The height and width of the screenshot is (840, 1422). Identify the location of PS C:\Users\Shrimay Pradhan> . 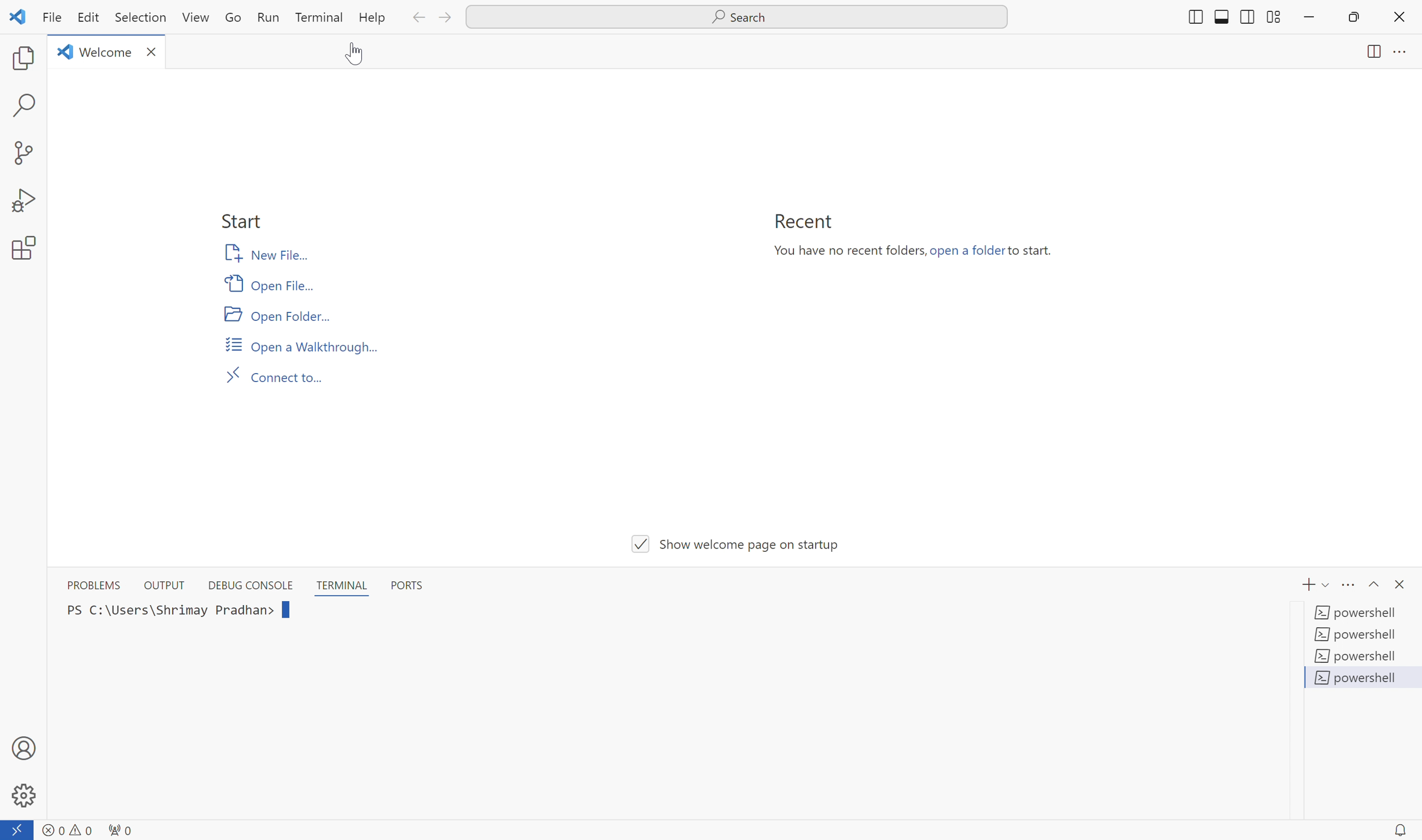
(208, 612).